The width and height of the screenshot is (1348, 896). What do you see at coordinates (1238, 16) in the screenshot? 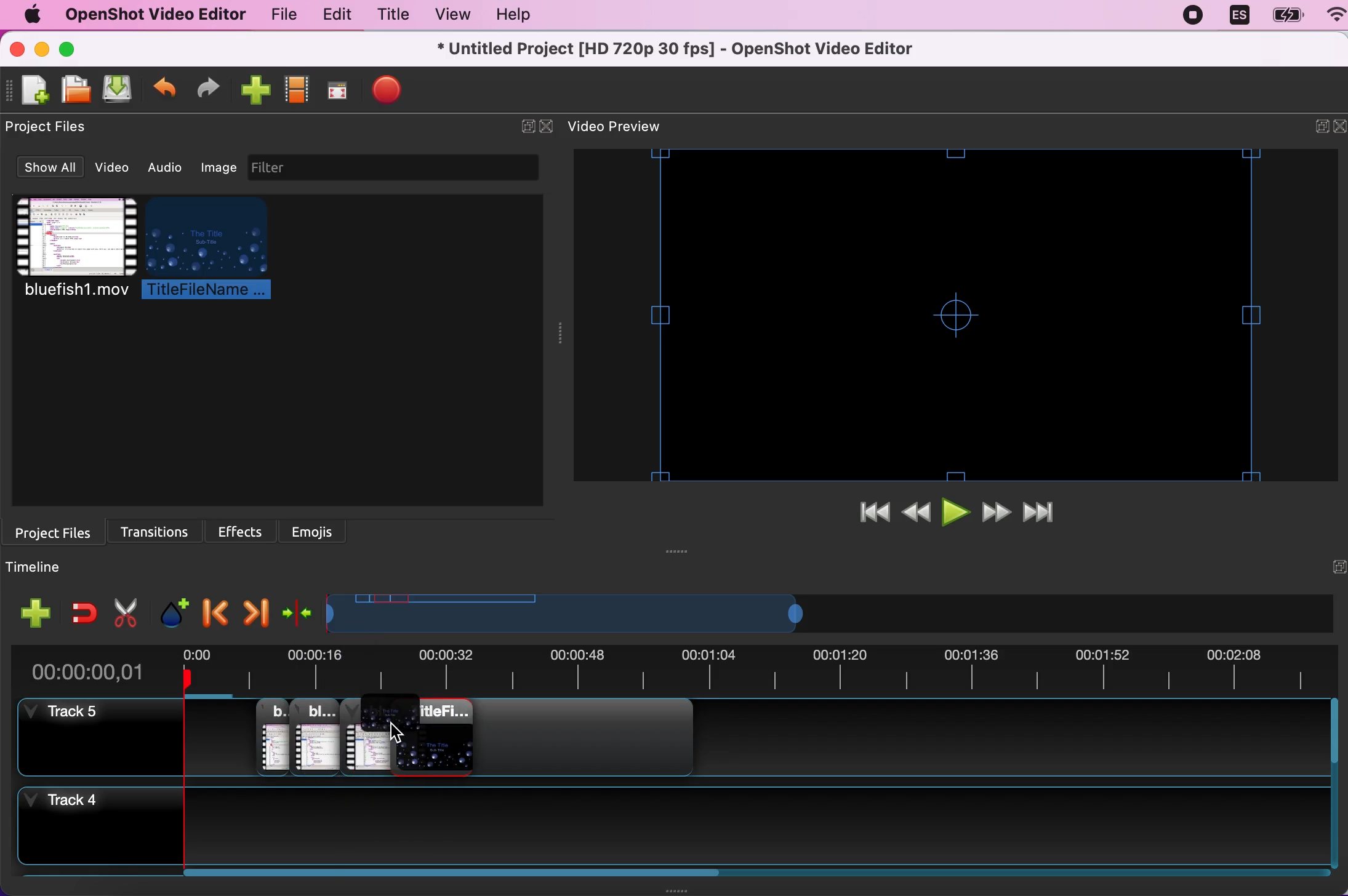
I see `language` at bounding box center [1238, 16].